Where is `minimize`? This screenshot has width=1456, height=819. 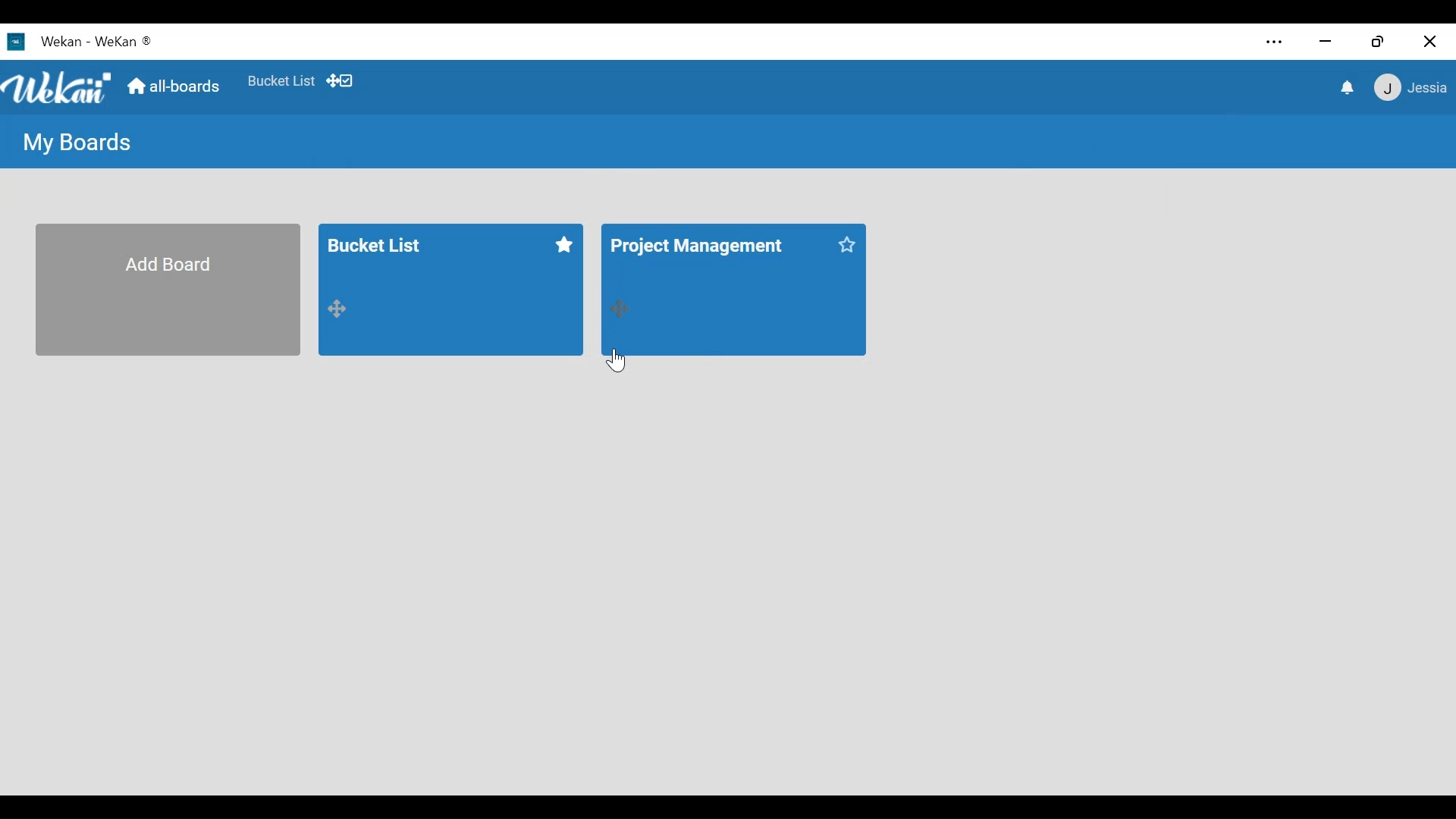 minimize is located at coordinates (1325, 42).